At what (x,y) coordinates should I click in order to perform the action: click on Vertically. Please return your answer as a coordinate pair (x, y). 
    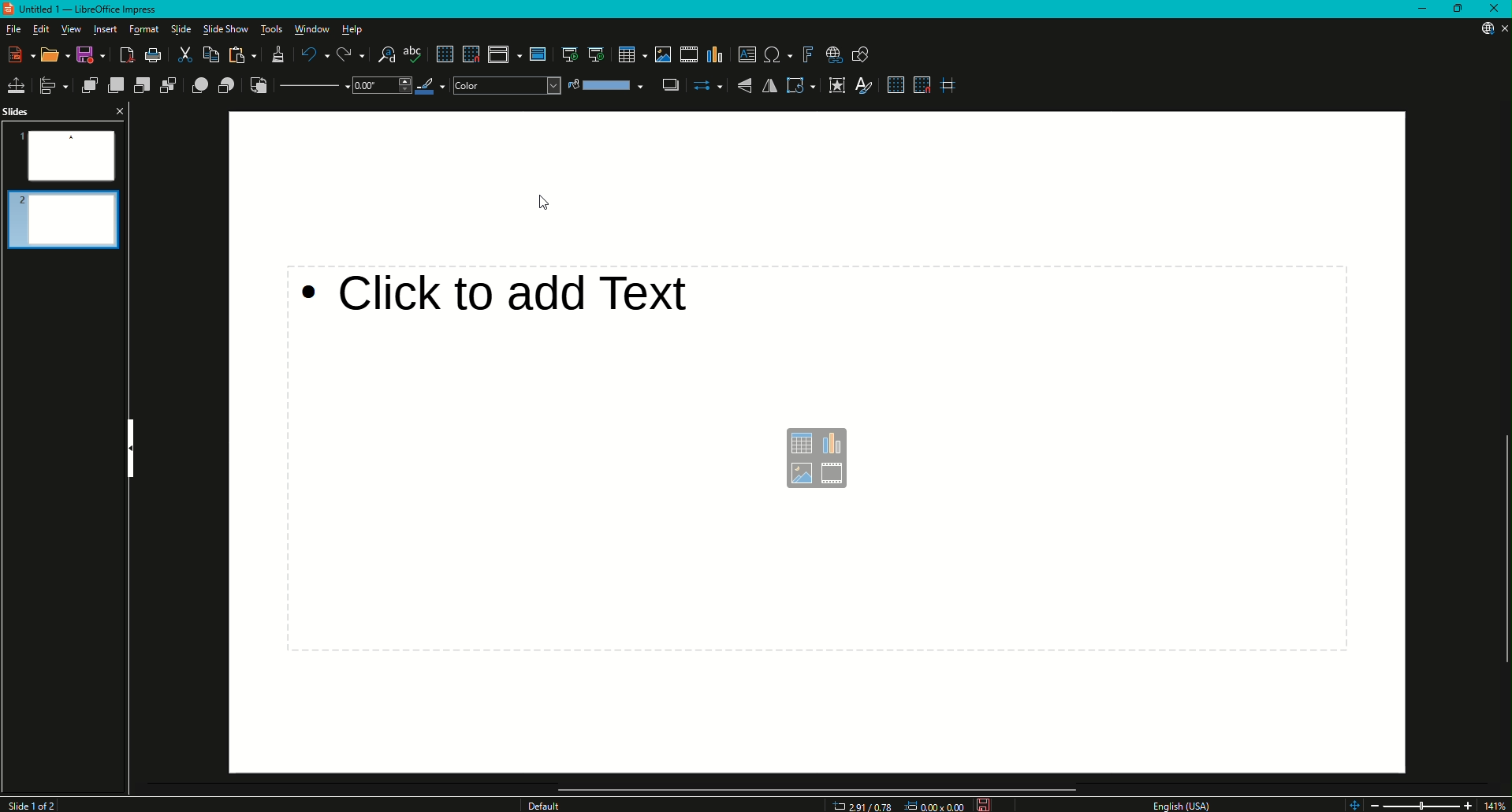
    Looking at the image, I should click on (746, 87).